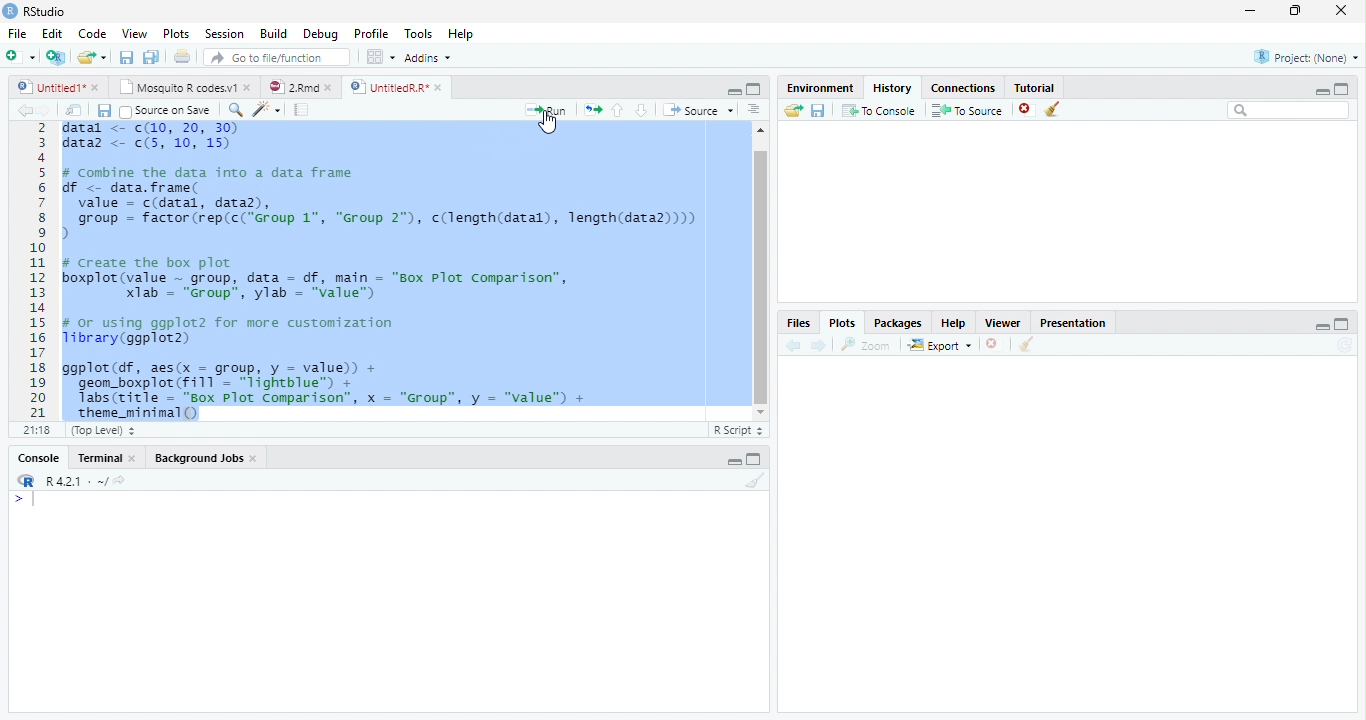  What do you see at coordinates (418, 32) in the screenshot?
I see `Tools` at bounding box center [418, 32].